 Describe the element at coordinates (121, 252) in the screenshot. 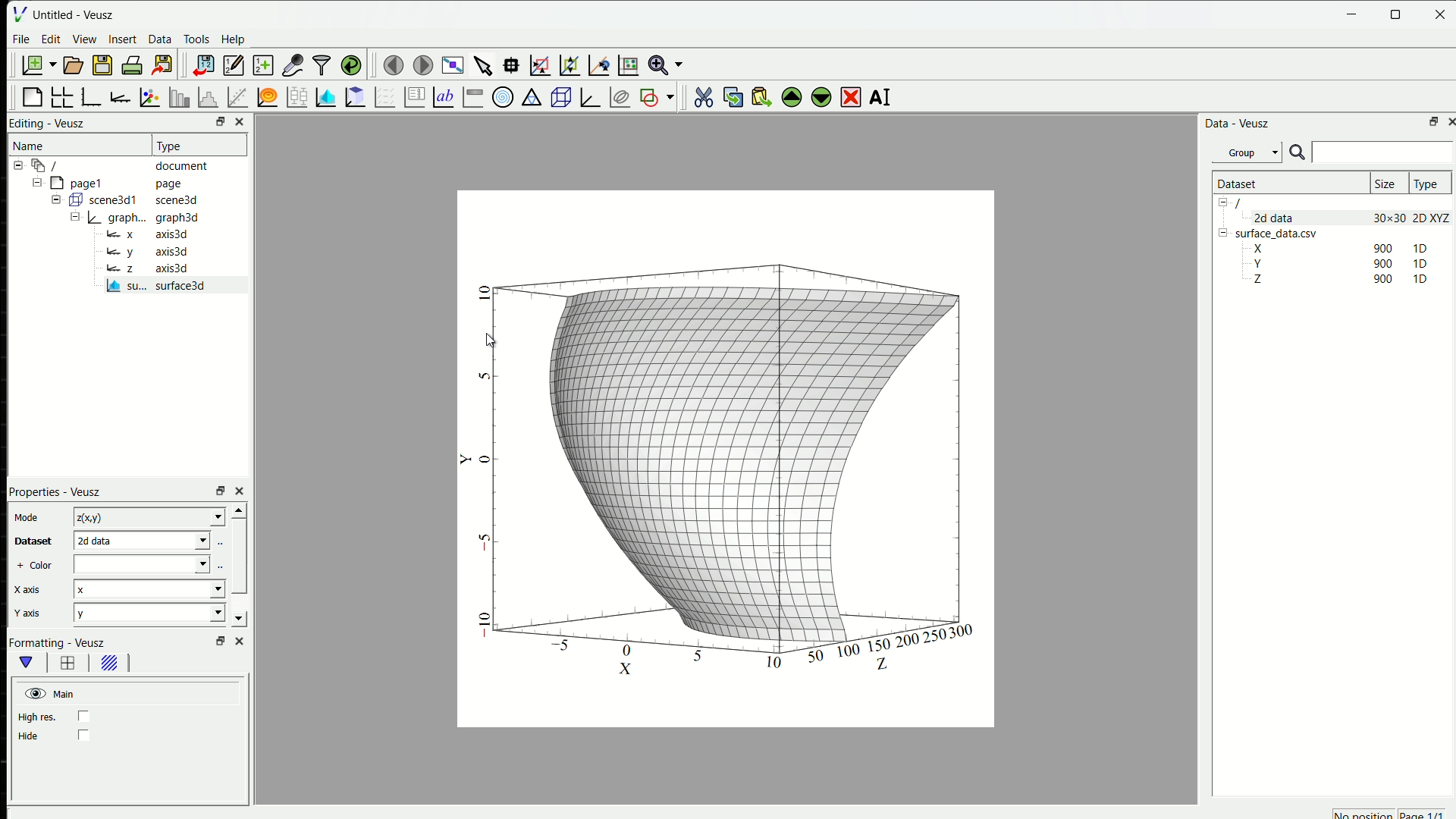

I see `y` at that location.